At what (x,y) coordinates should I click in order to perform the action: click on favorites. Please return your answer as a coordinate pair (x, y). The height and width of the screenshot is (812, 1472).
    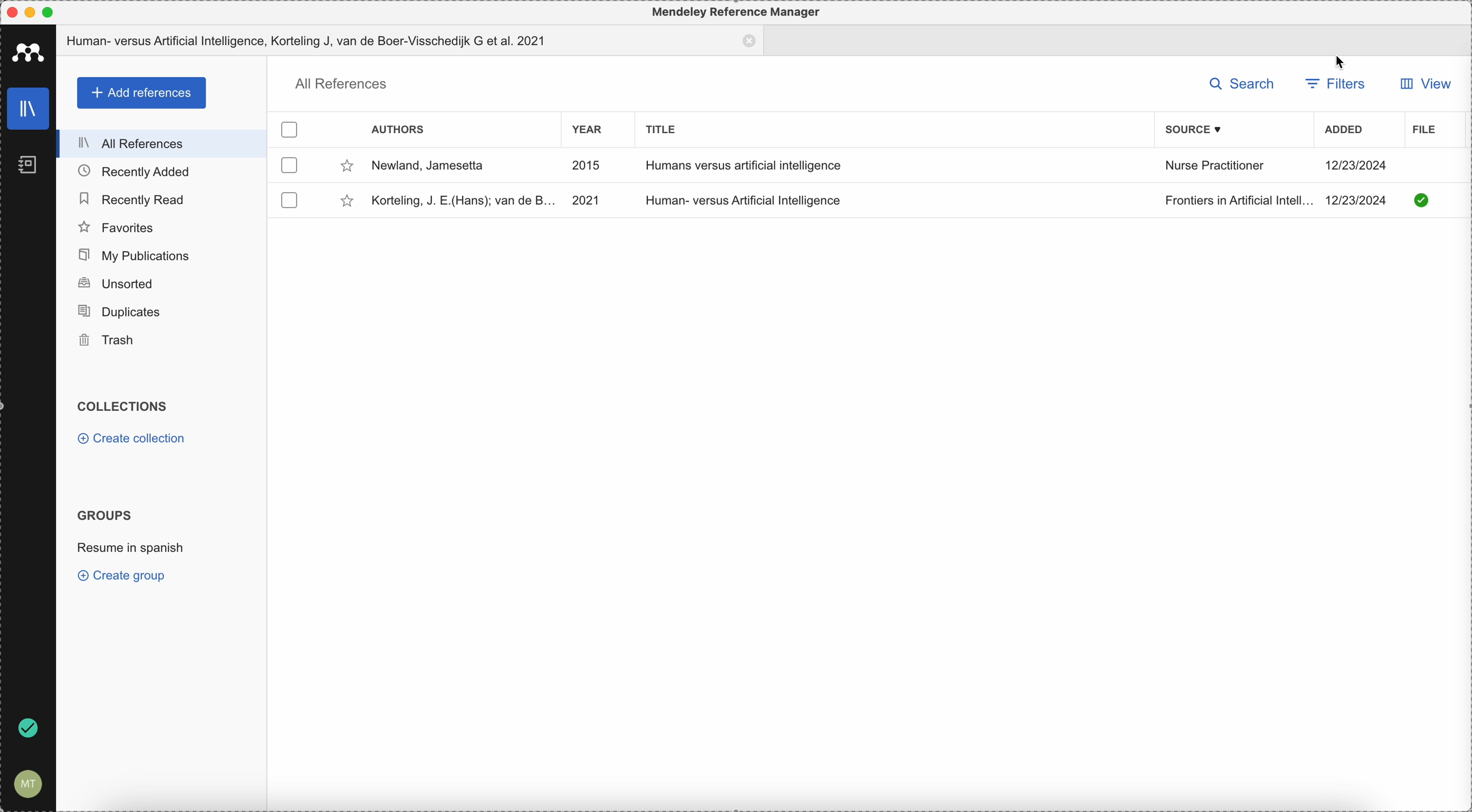
    Looking at the image, I should click on (162, 226).